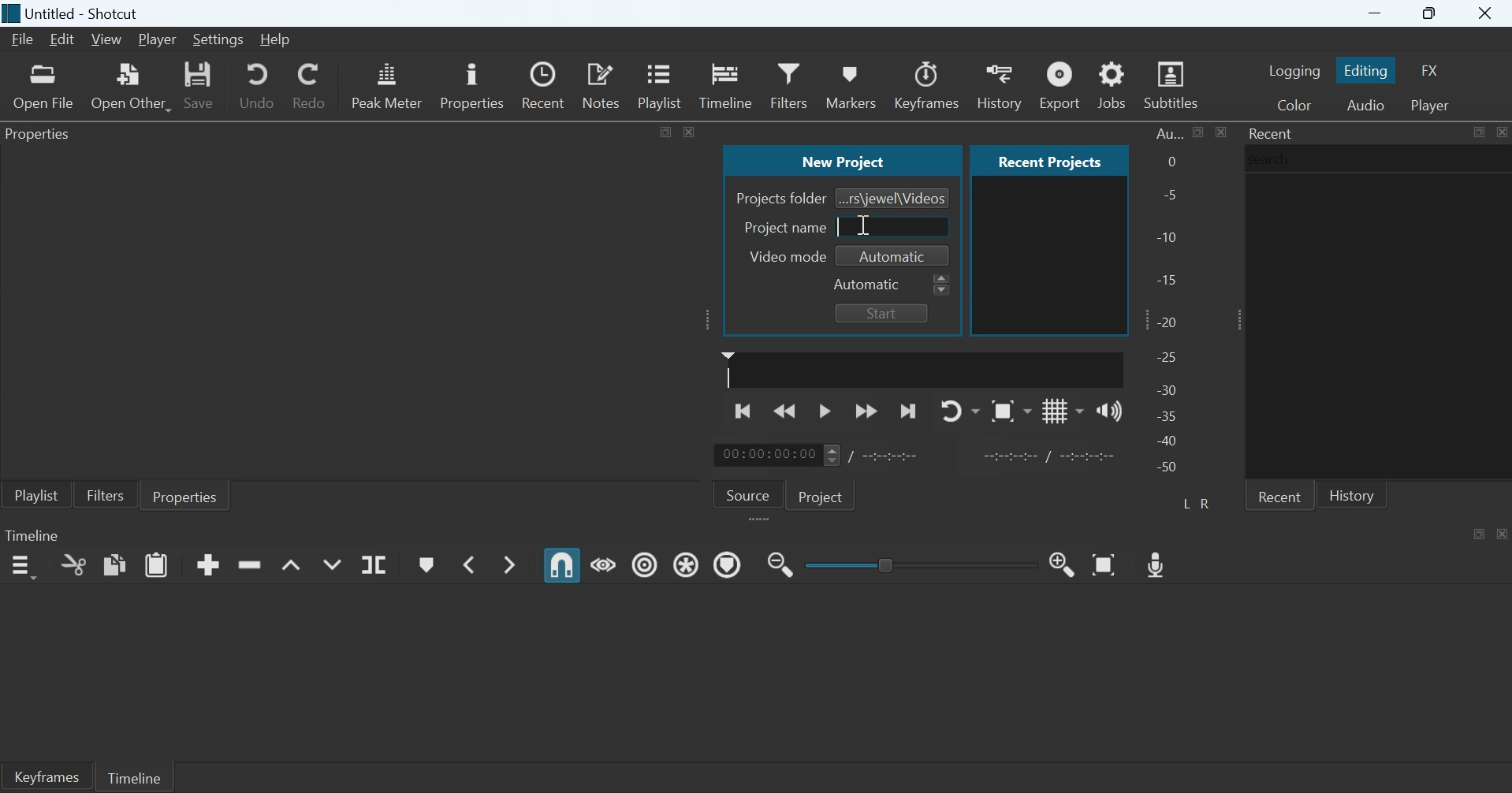  Describe the element at coordinates (689, 131) in the screenshot. I see `close` at that location.